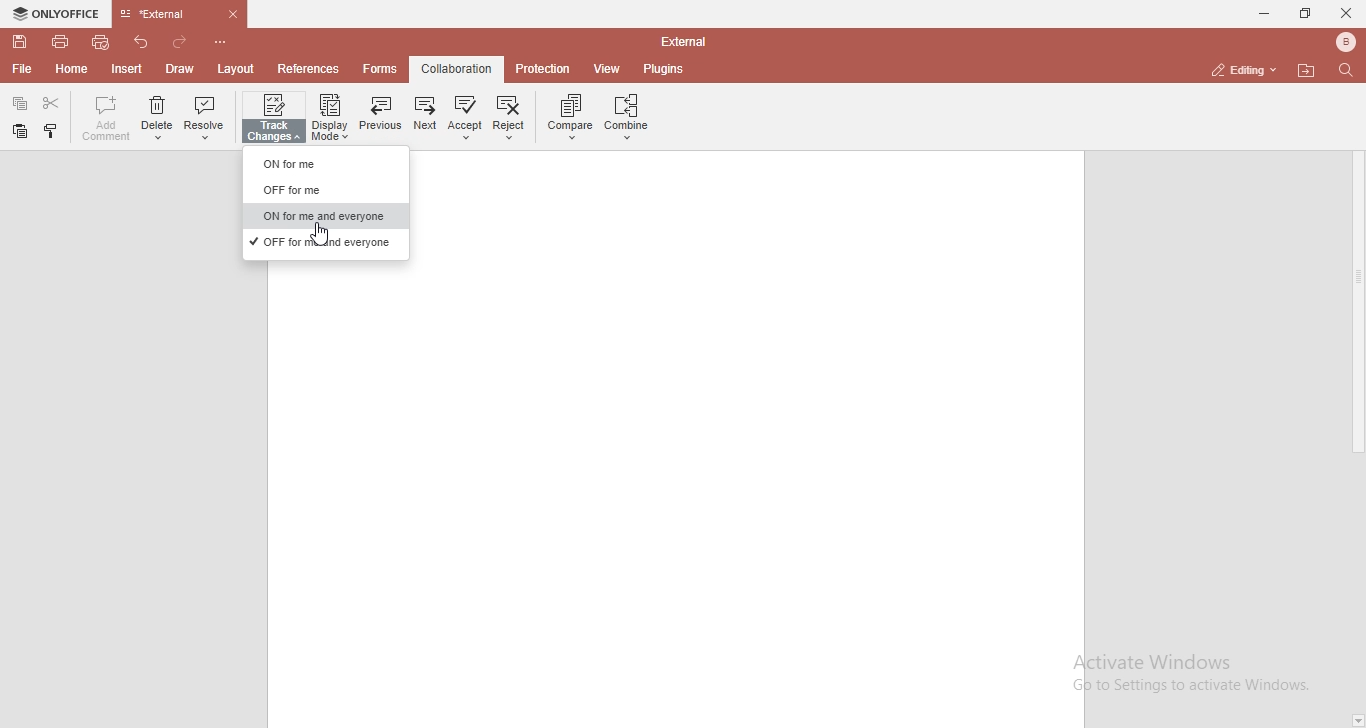  Describe the element at coordinates (235, 70) in the screenshot. I see `layout` at that location.